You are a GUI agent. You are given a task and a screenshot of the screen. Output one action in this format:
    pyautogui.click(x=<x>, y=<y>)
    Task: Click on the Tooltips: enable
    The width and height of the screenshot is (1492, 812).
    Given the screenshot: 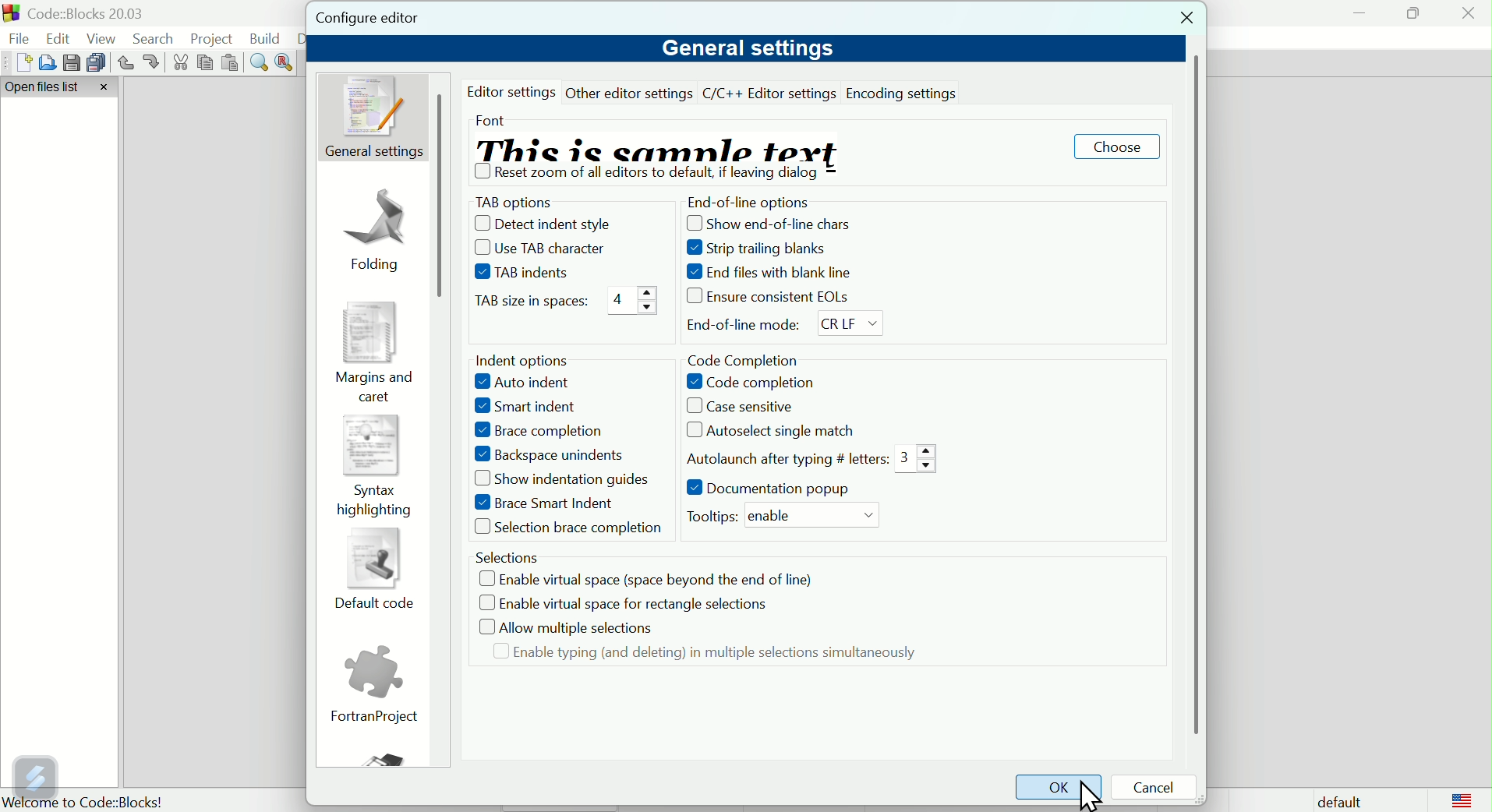 What is the action you would take?
    pyautogui.click(x=708, y=516)
    